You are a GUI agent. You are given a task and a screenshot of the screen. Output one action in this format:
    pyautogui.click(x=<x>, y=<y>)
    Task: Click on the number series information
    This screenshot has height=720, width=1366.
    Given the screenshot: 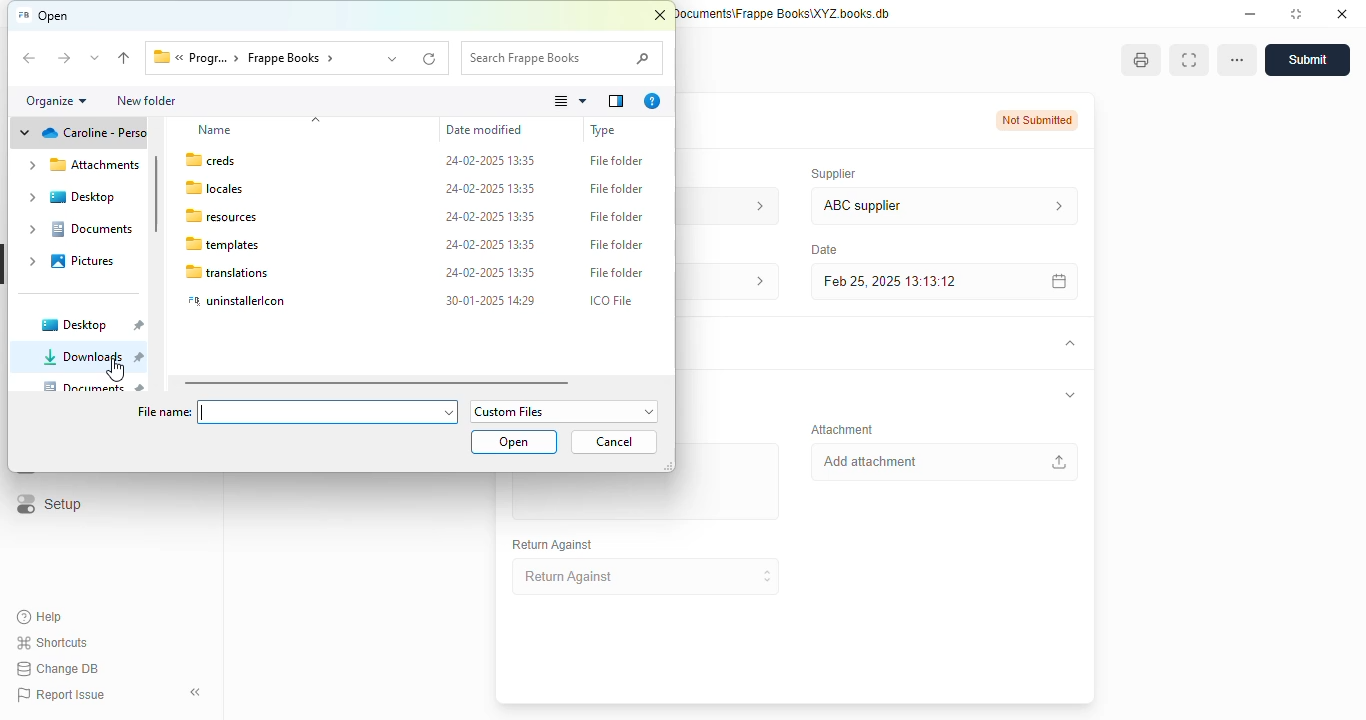 What is the action you would take?
    pyautogui.click(x=754, y=205)
    